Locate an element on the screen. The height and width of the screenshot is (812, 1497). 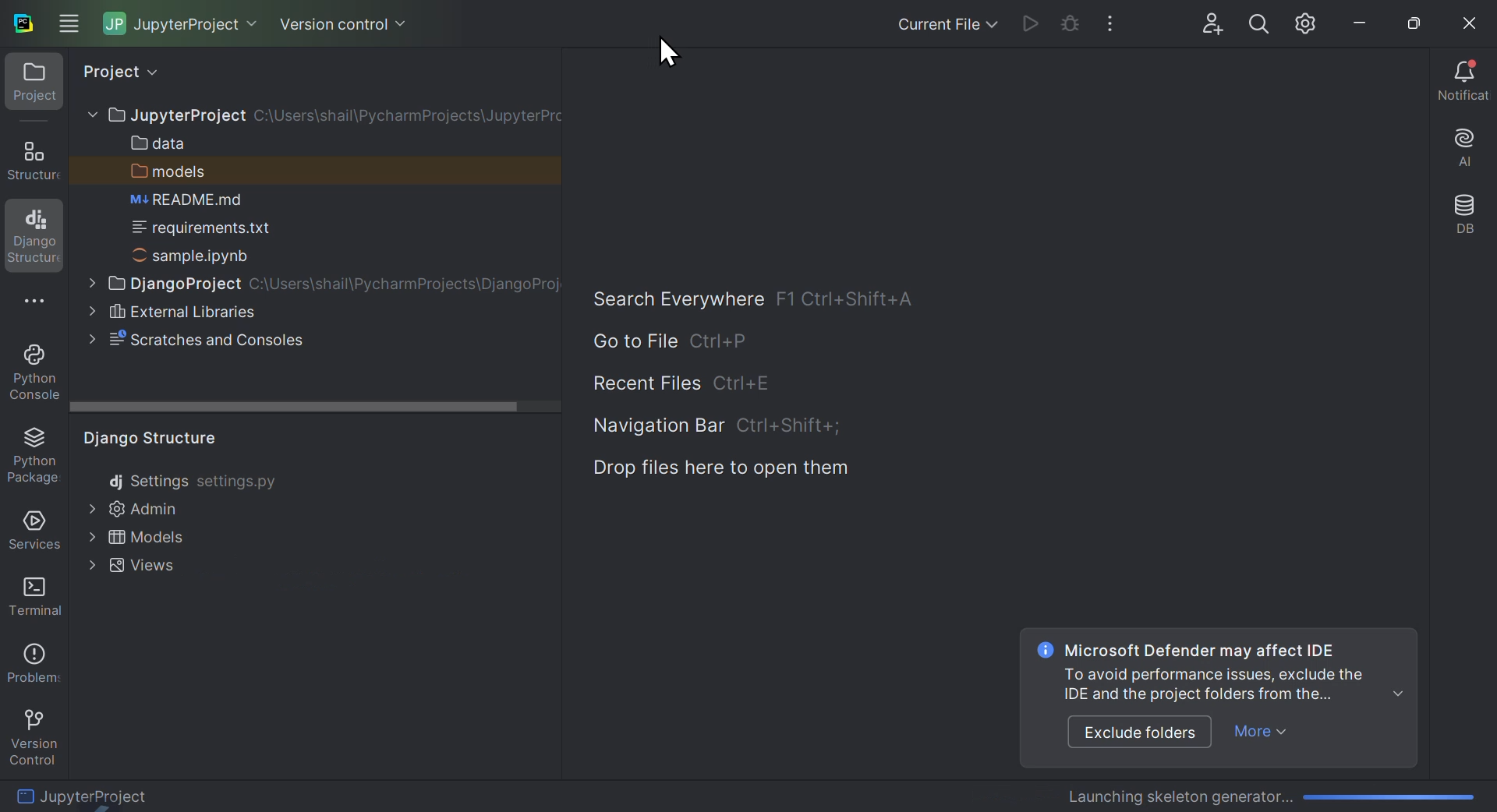
Close is located at coordinates (1466, 20).